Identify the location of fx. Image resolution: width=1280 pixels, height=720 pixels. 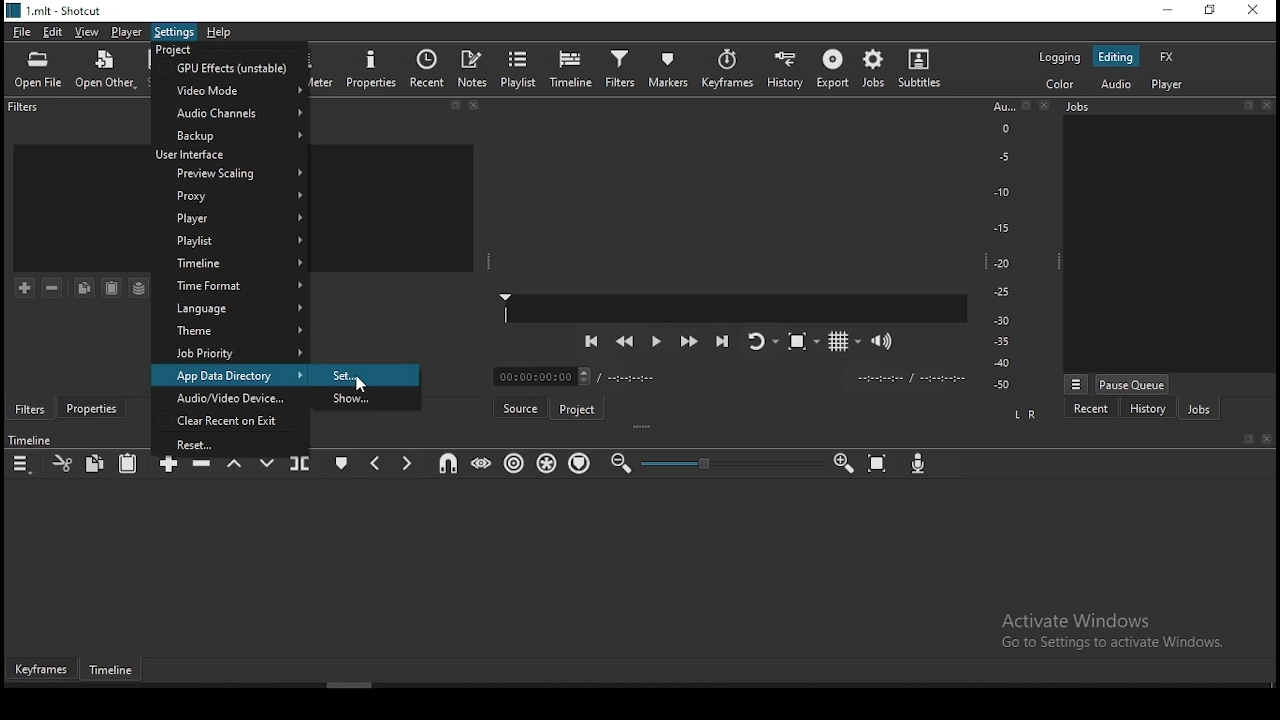
(1167, 56).